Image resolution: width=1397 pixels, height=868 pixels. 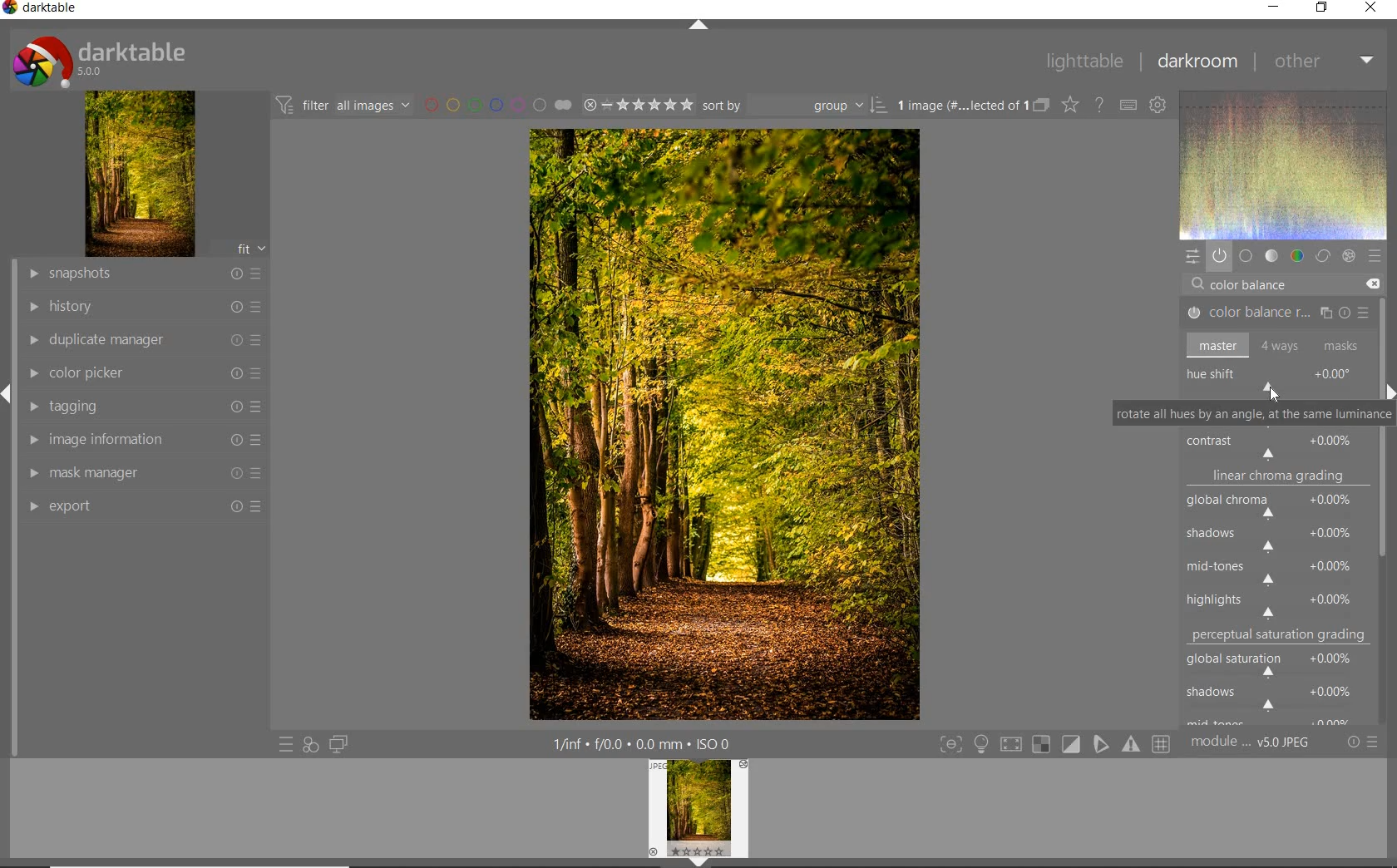 I want to click on DELETE, so click(x=1372, y=284).